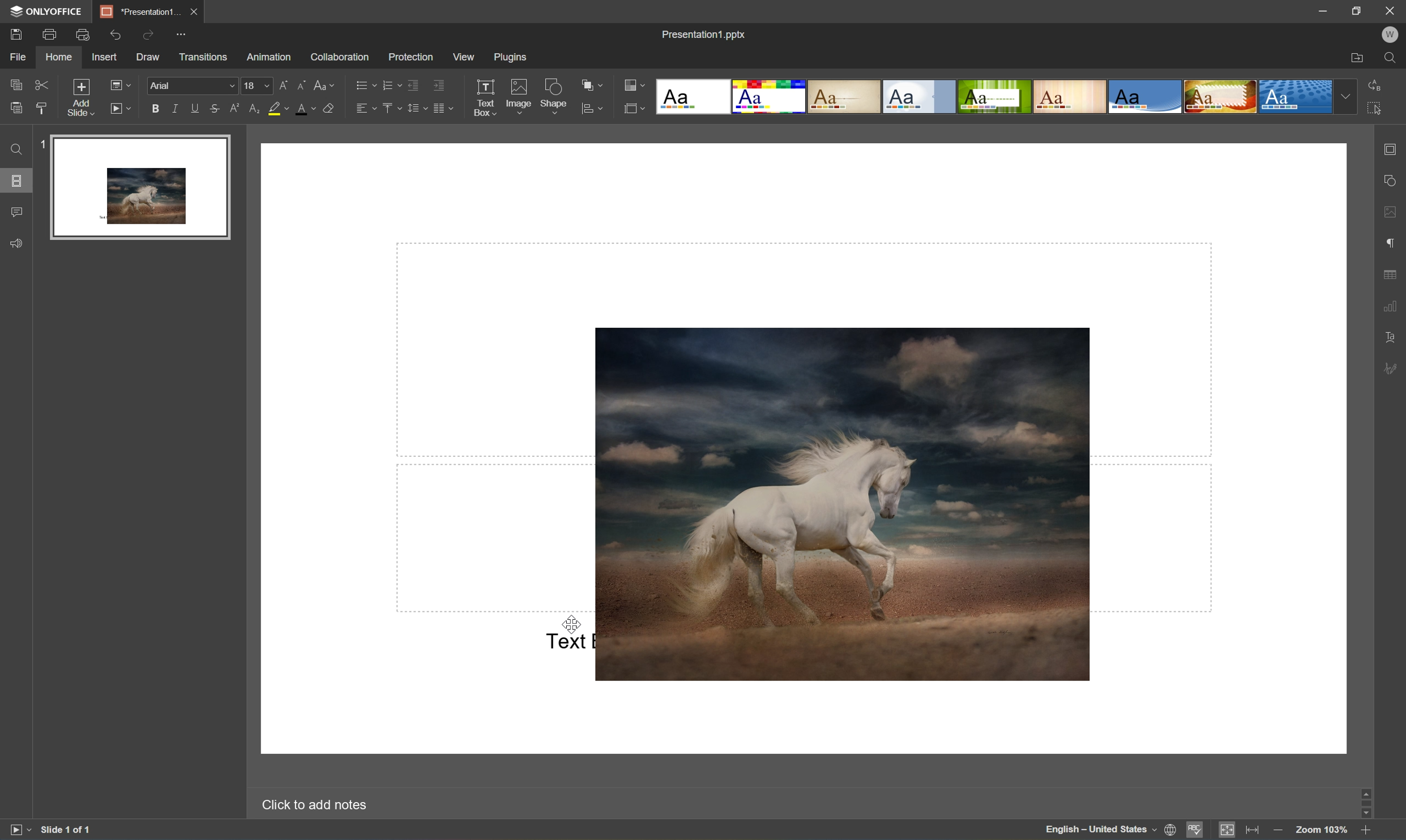 The height and width of the screenshot is (840, 1406). I want to click on Green Leaf, so click(994, 97).